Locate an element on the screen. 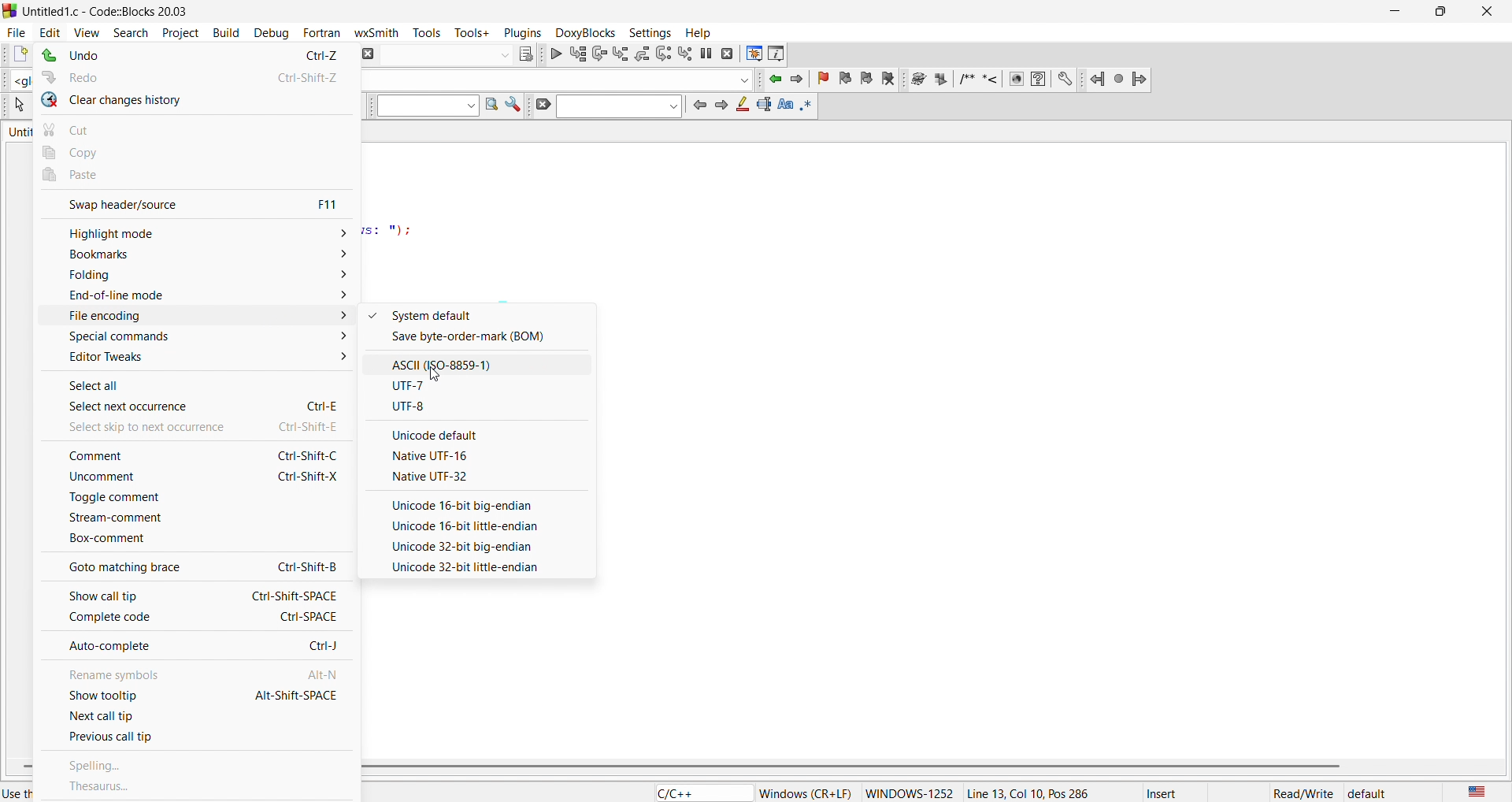 This screenshot has width=1512, height=802. insert comment box is located at coordinates (967, 81).